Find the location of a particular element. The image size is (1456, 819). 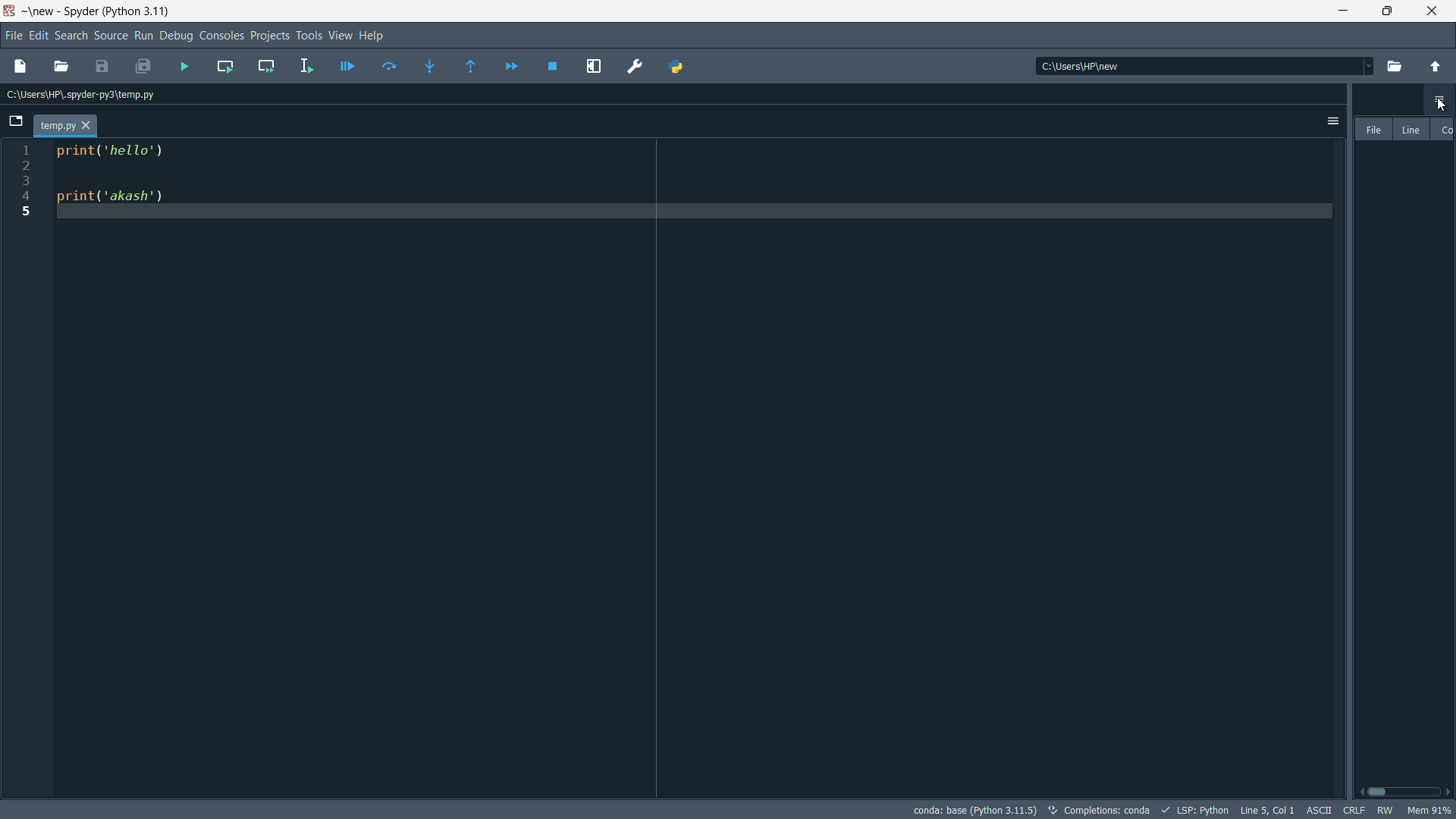

Run Button is located at coordinates (144, 36).